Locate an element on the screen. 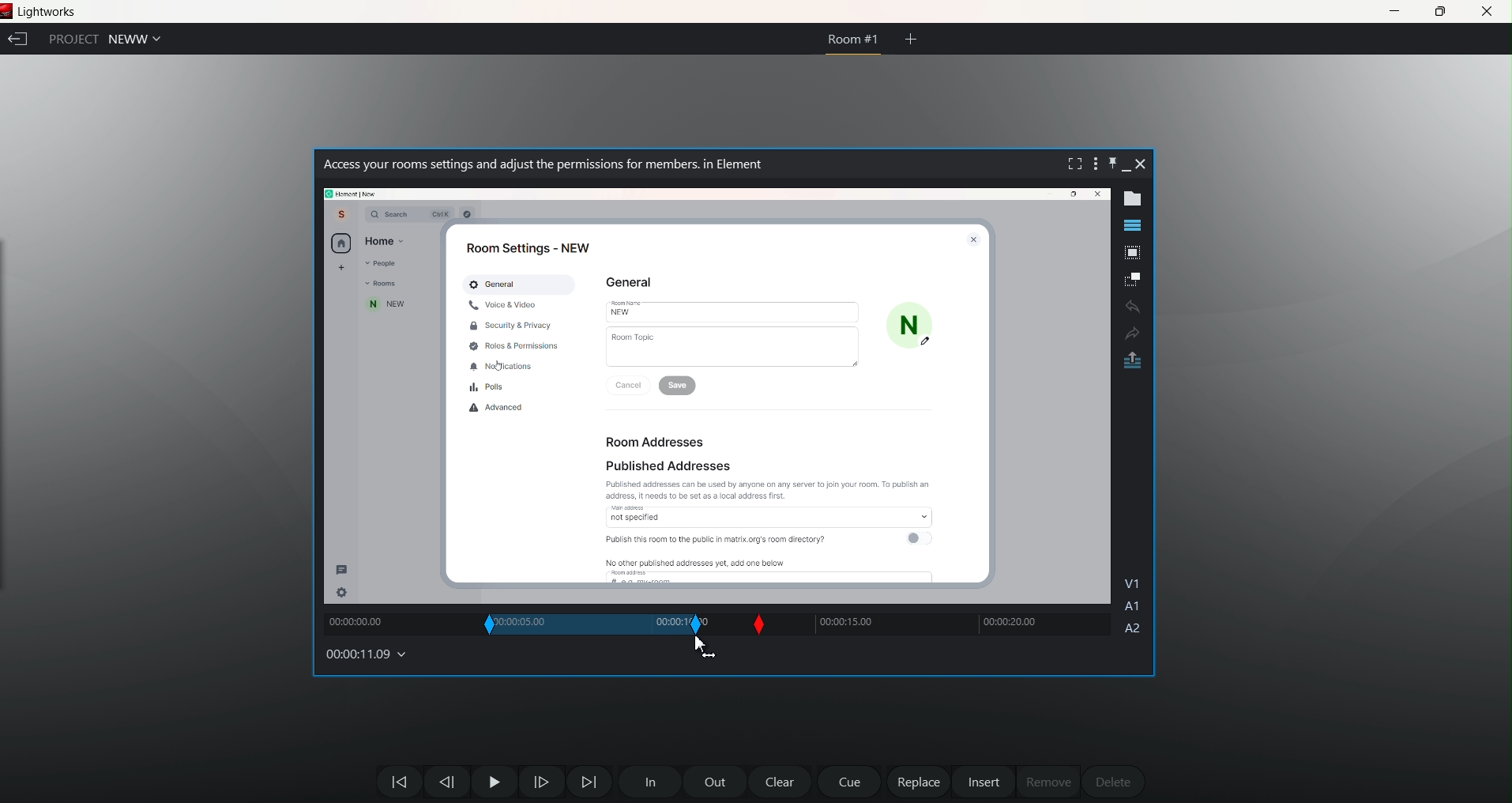  toggle is located at coordinates (920, 537).